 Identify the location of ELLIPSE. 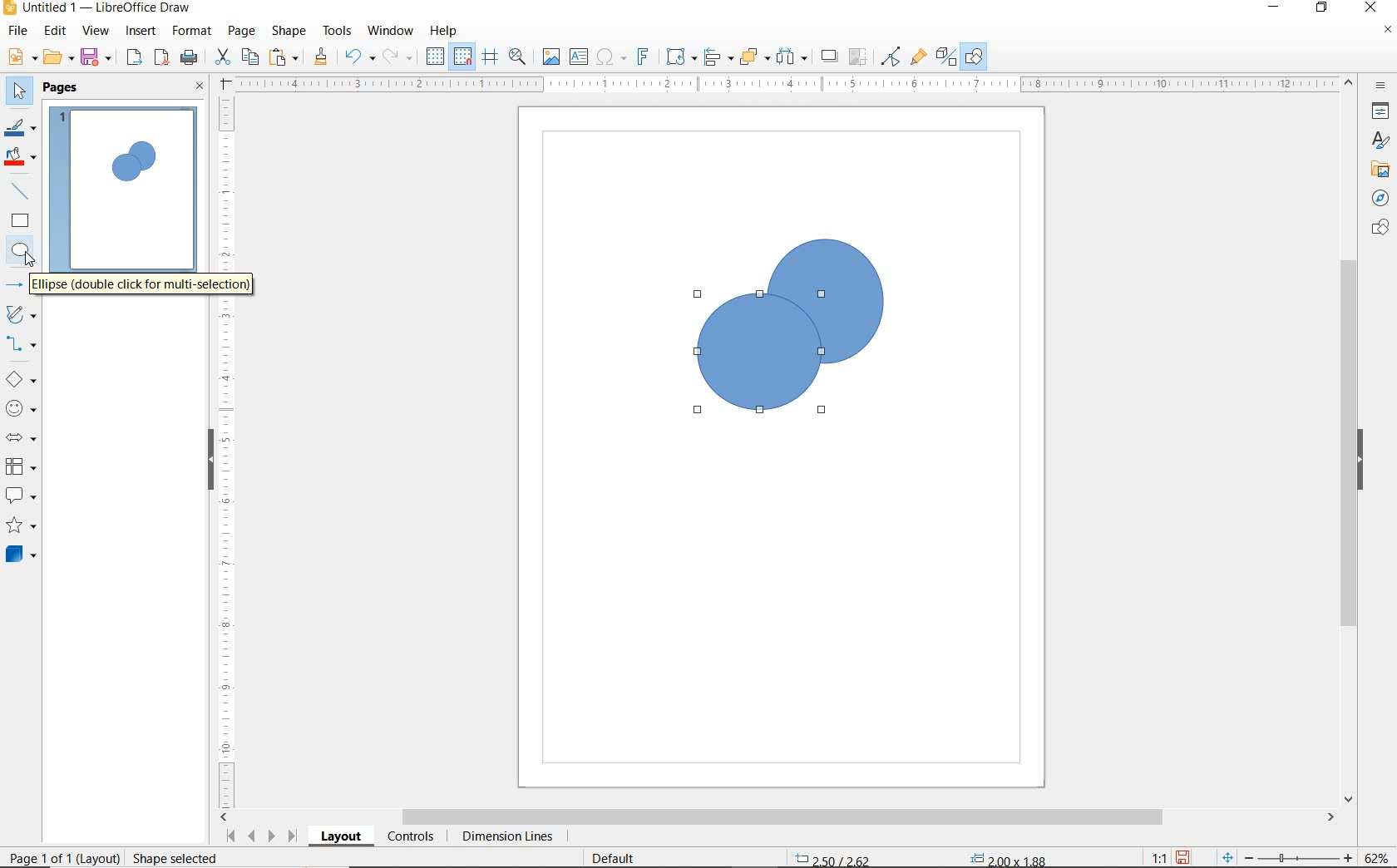
(21, 251).